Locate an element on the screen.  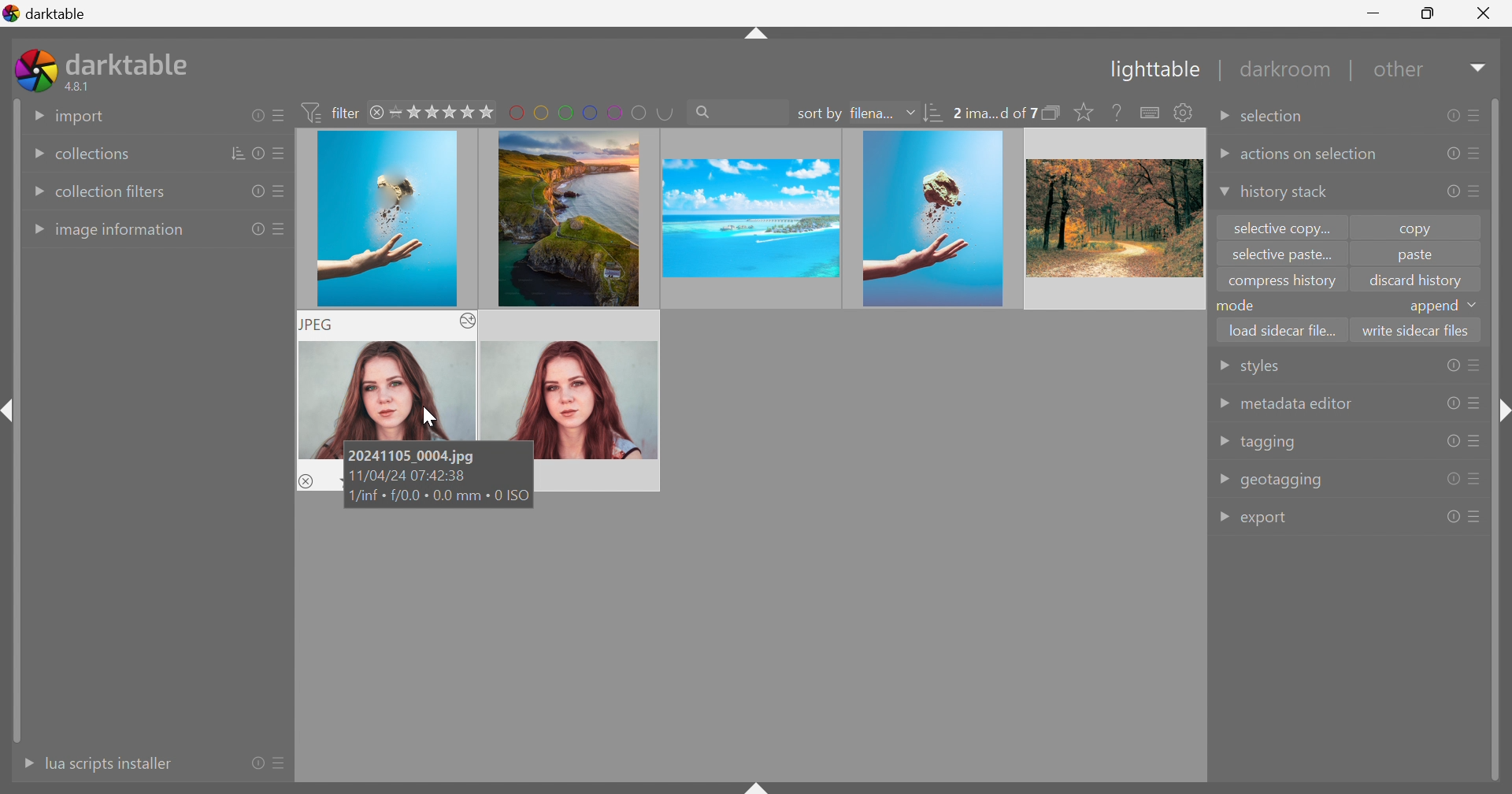
darkroom is located at coordinates (1288, 70).